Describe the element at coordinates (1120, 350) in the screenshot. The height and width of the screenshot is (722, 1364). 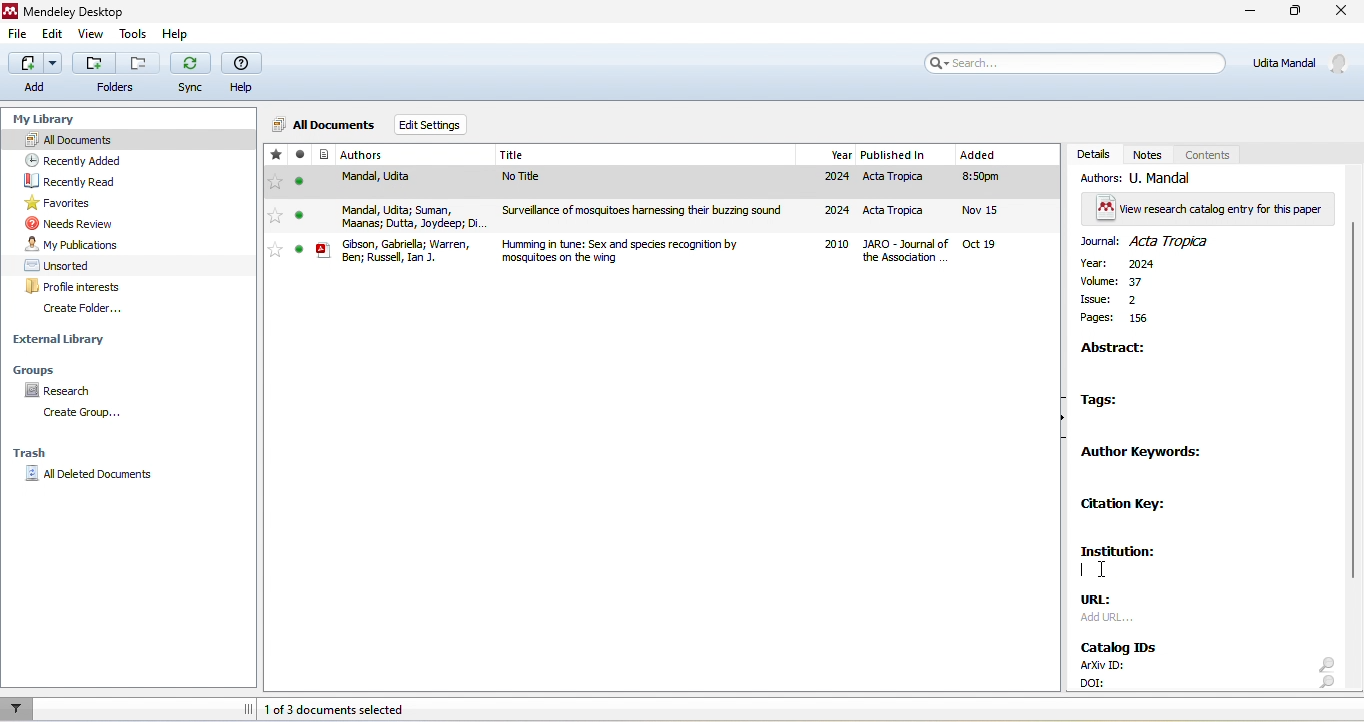
I see `abstract` at that location.